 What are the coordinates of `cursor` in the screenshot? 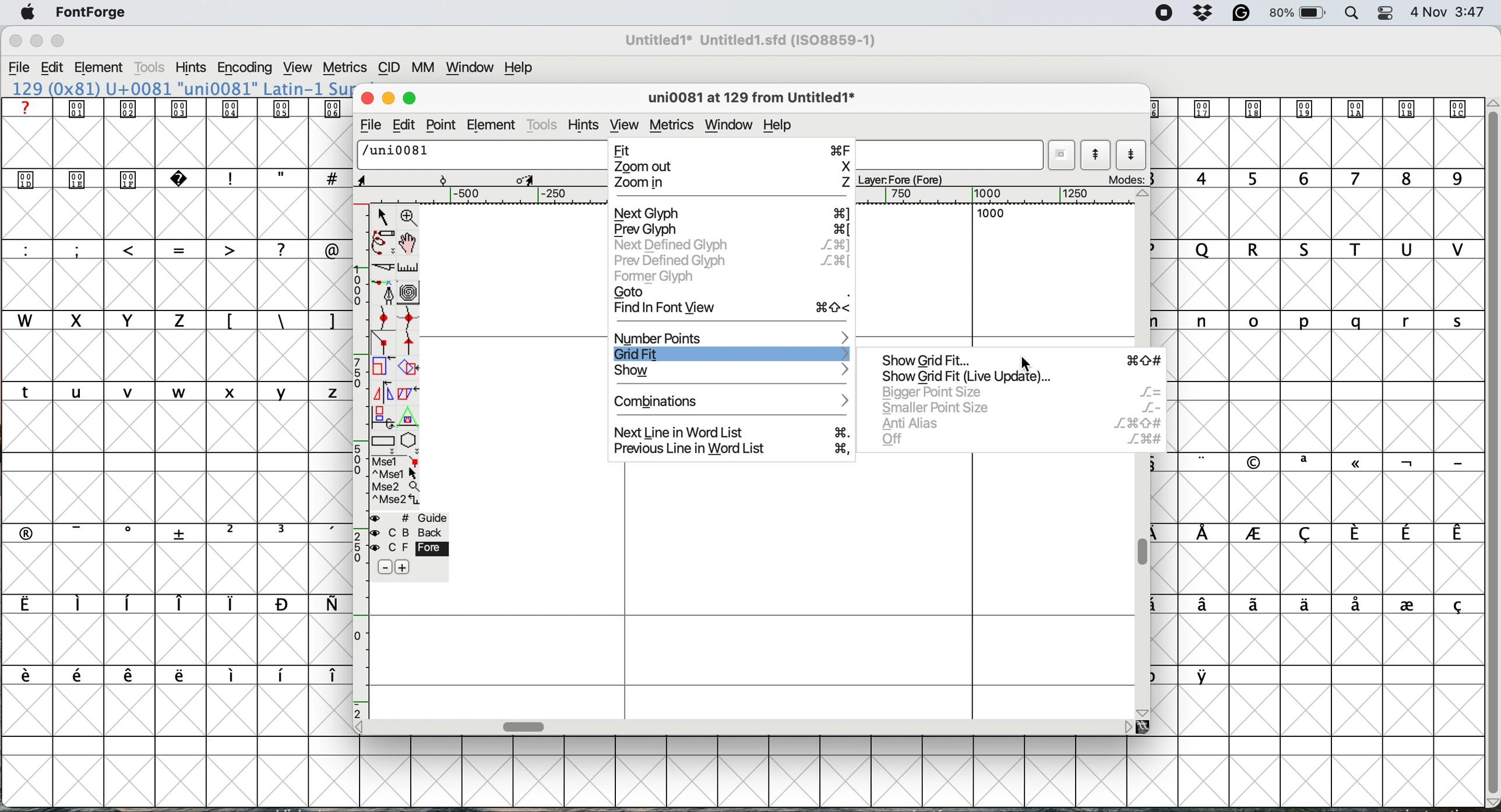 It's located at (1027, 365).